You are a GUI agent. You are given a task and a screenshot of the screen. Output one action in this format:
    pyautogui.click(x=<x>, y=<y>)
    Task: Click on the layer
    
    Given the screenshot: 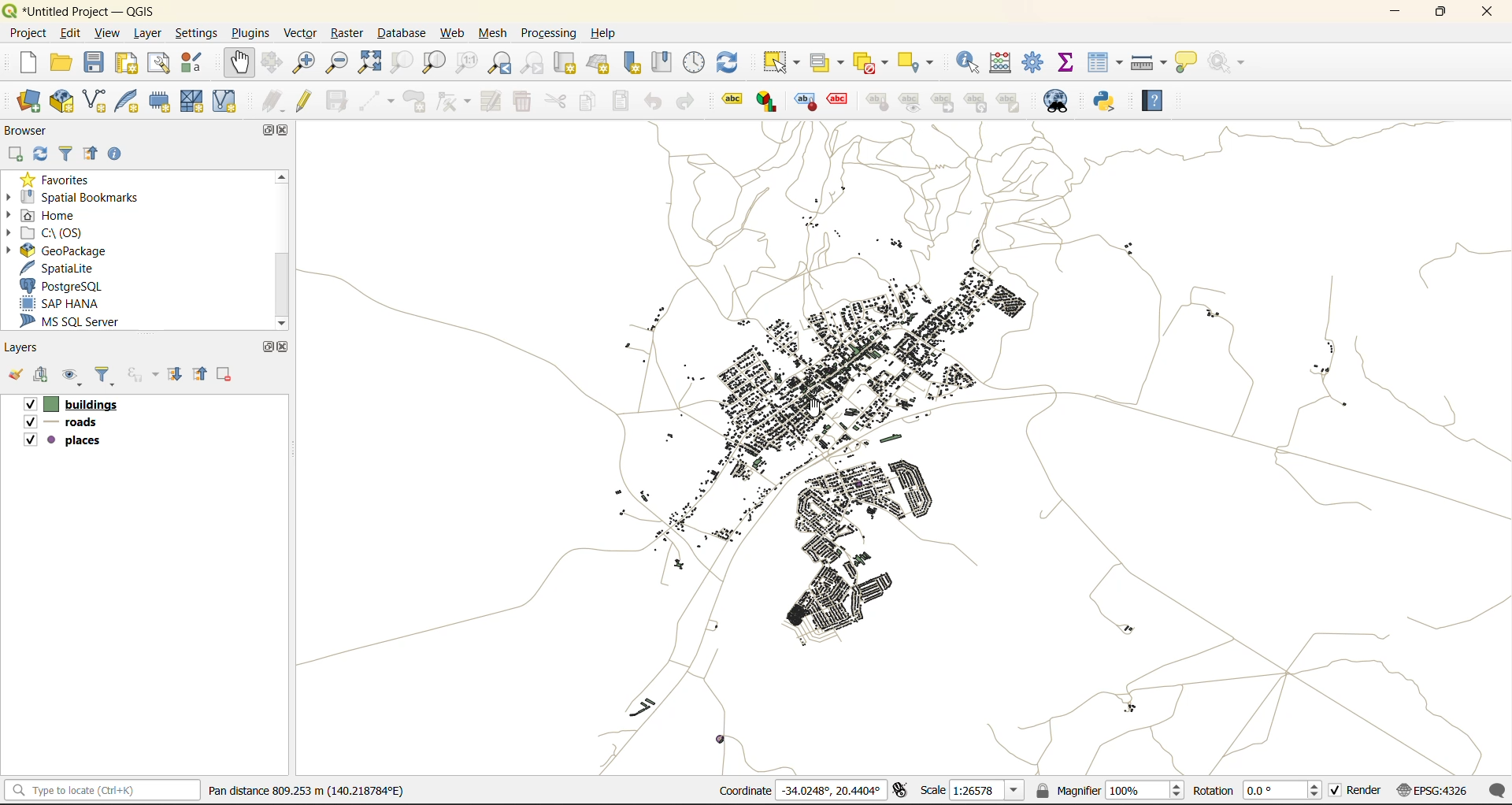 What is the action you would take?
    pyautogui.click(x=147, y=35)
    